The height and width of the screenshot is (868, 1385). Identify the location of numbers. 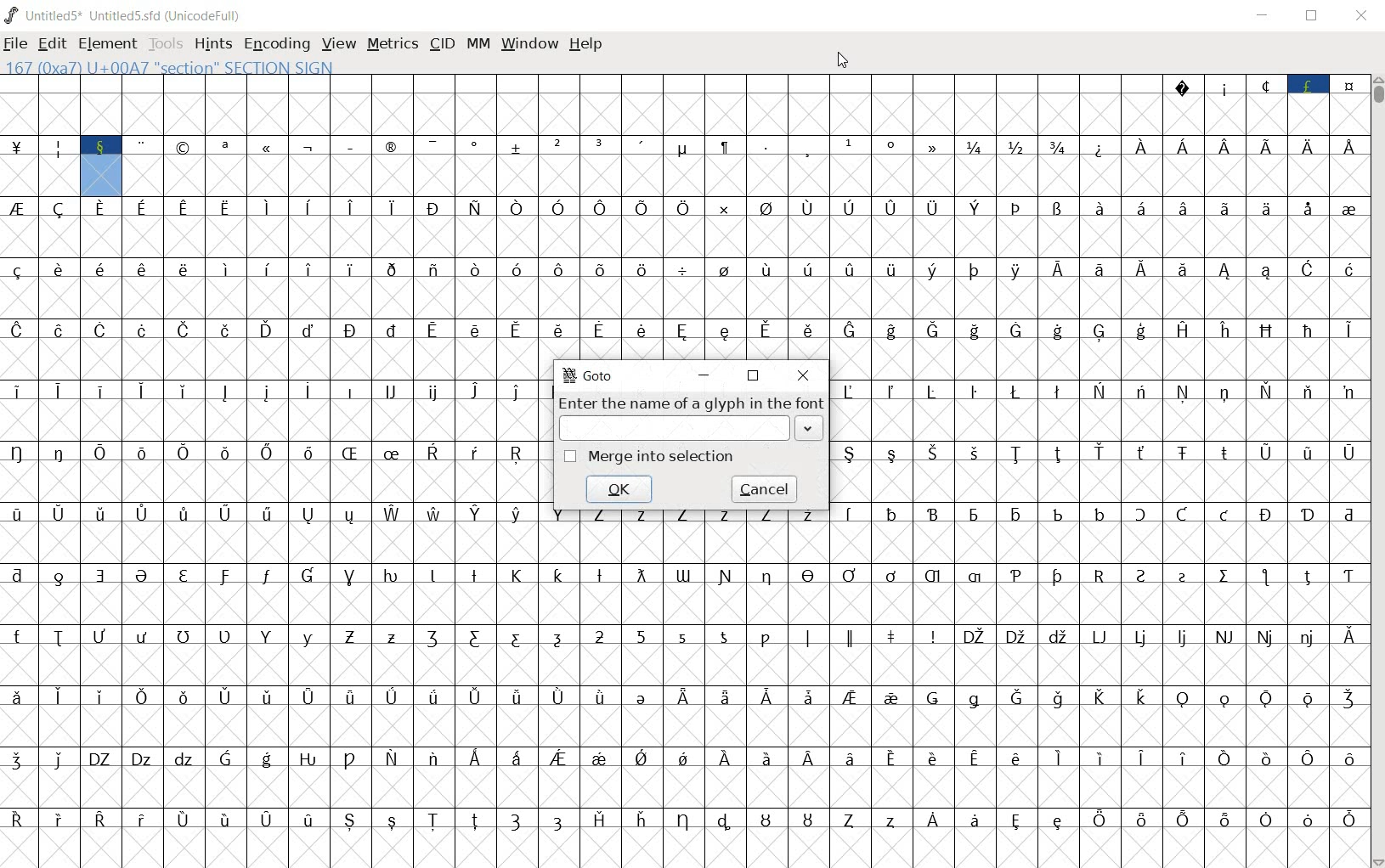
(579, 167).